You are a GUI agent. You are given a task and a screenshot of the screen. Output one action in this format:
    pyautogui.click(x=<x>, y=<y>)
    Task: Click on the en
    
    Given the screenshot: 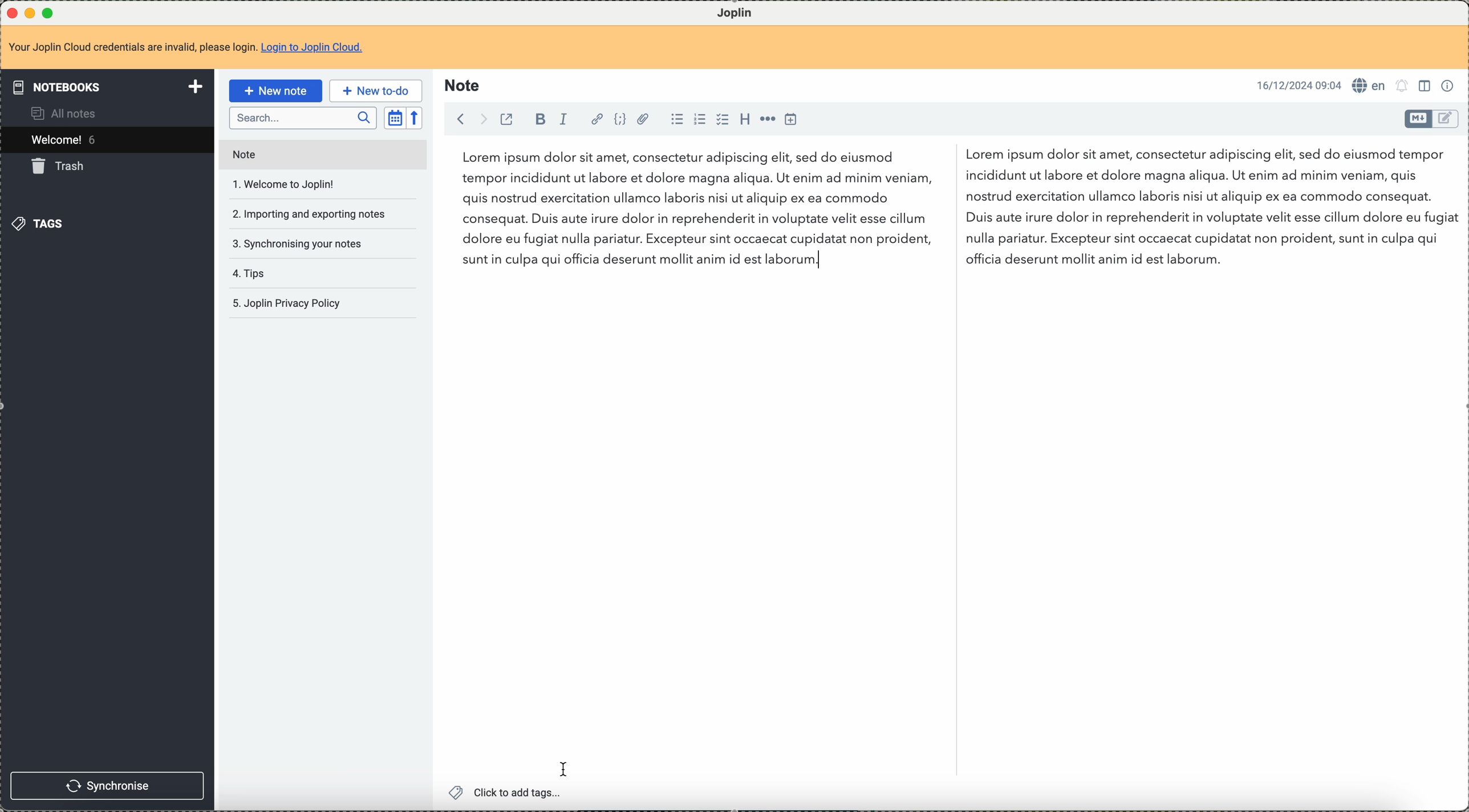 What is the action you would take?
    pyautogui.click(x=1371, y=86)
    